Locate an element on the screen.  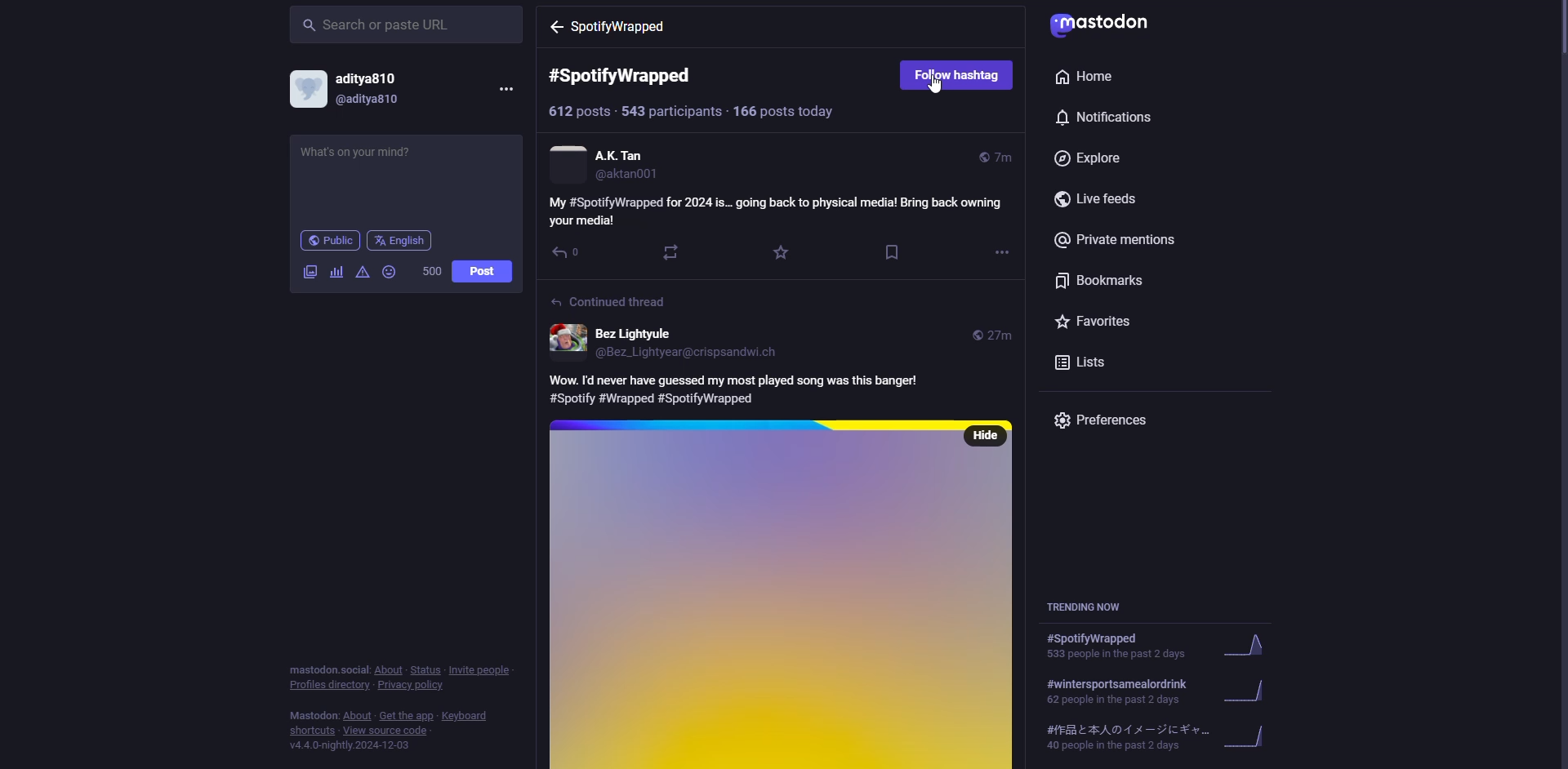
# is located at coordinates (632, 76).